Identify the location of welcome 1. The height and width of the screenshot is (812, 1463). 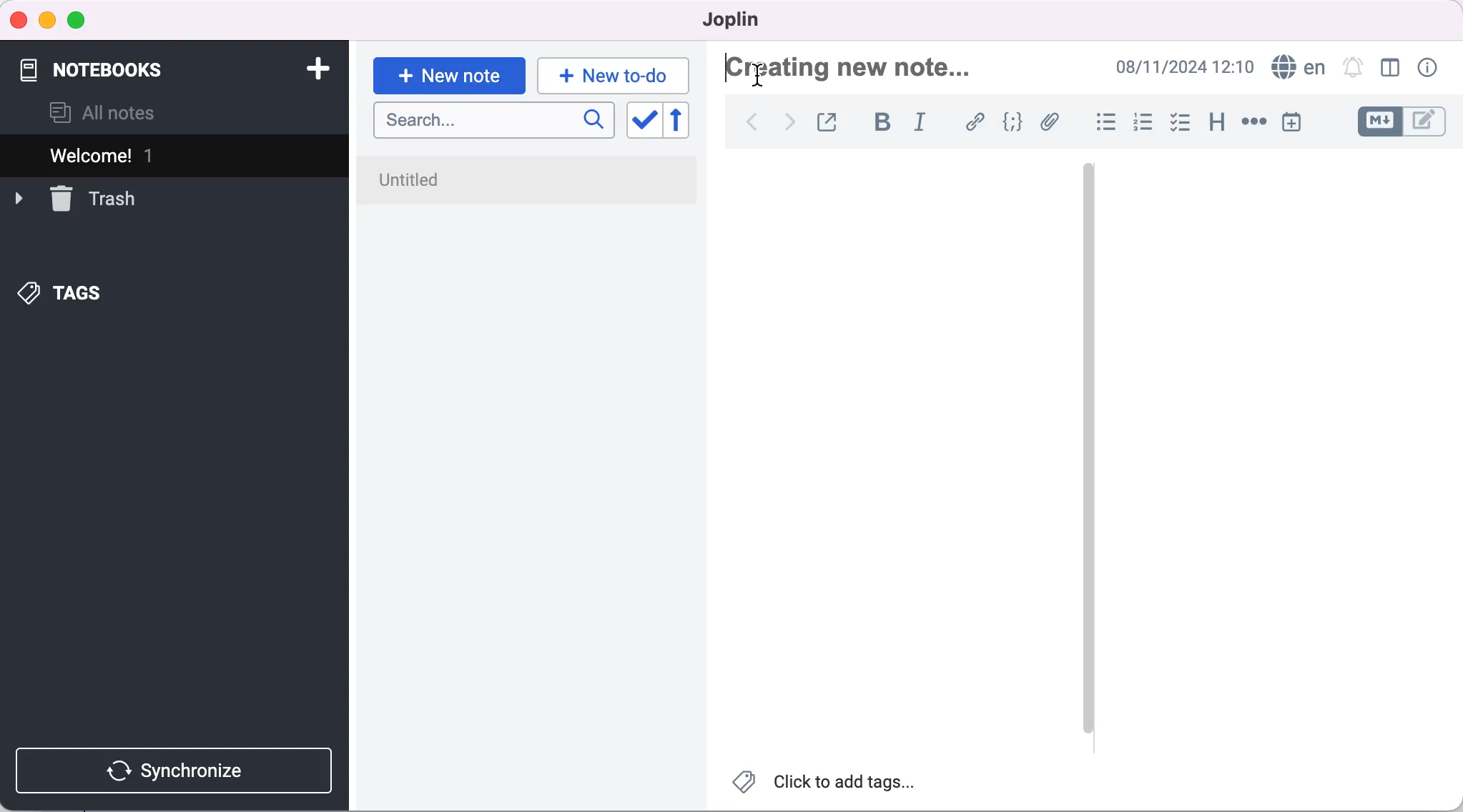
(152, 156).